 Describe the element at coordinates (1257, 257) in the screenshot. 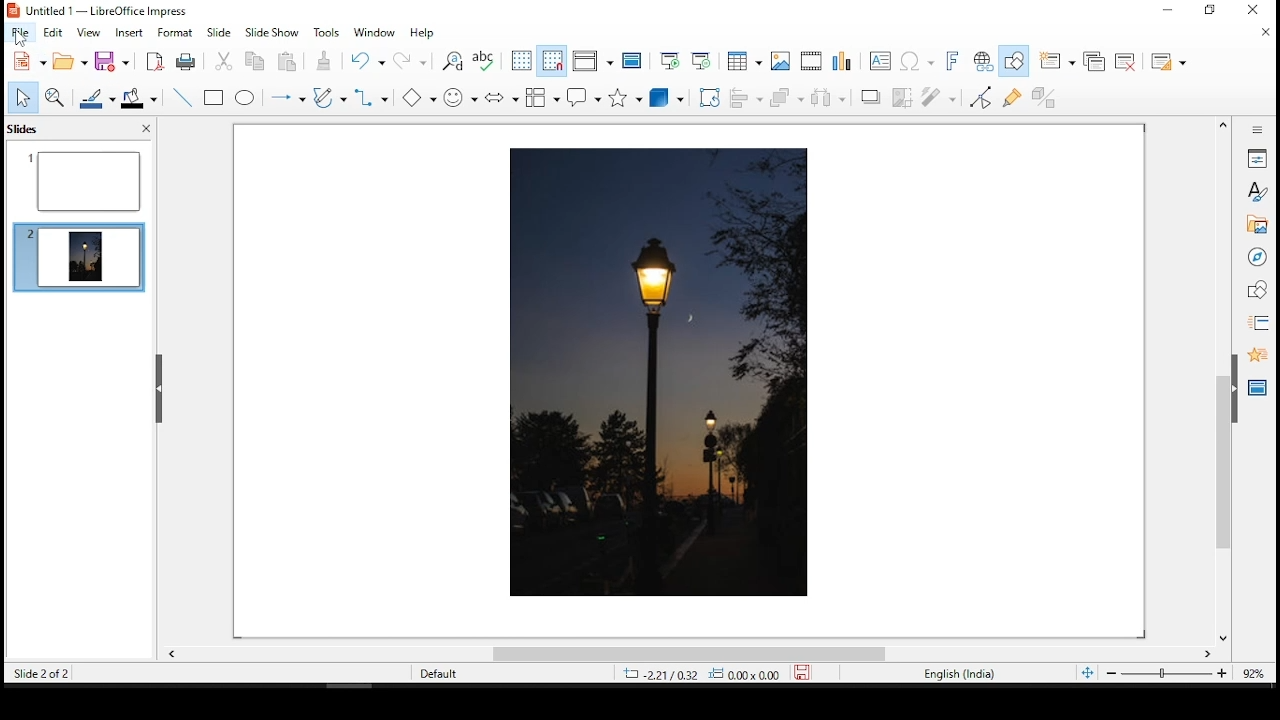

I see `navigator` at that location.